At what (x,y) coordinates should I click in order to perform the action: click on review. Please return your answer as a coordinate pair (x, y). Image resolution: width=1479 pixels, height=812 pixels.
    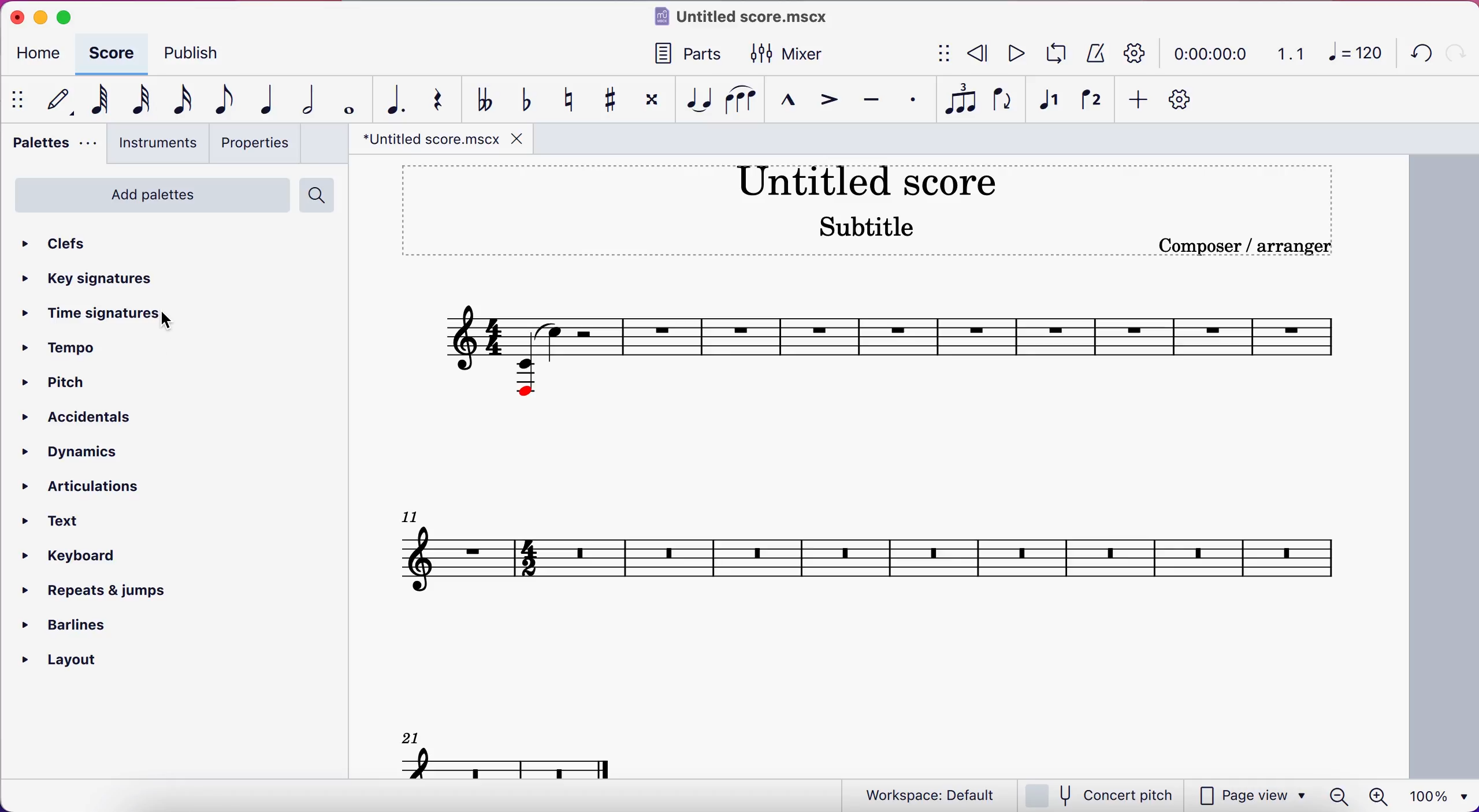
    Looking at the image, I should click on (982, 53).